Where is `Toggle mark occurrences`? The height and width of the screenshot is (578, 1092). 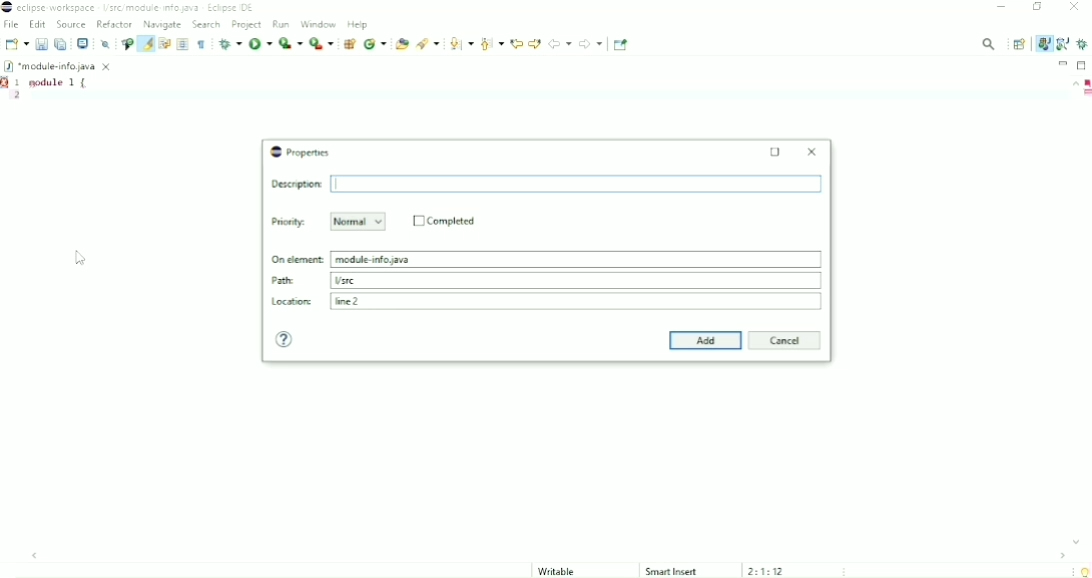 Toggle mark occurrences is located at coordinates (145, 43).